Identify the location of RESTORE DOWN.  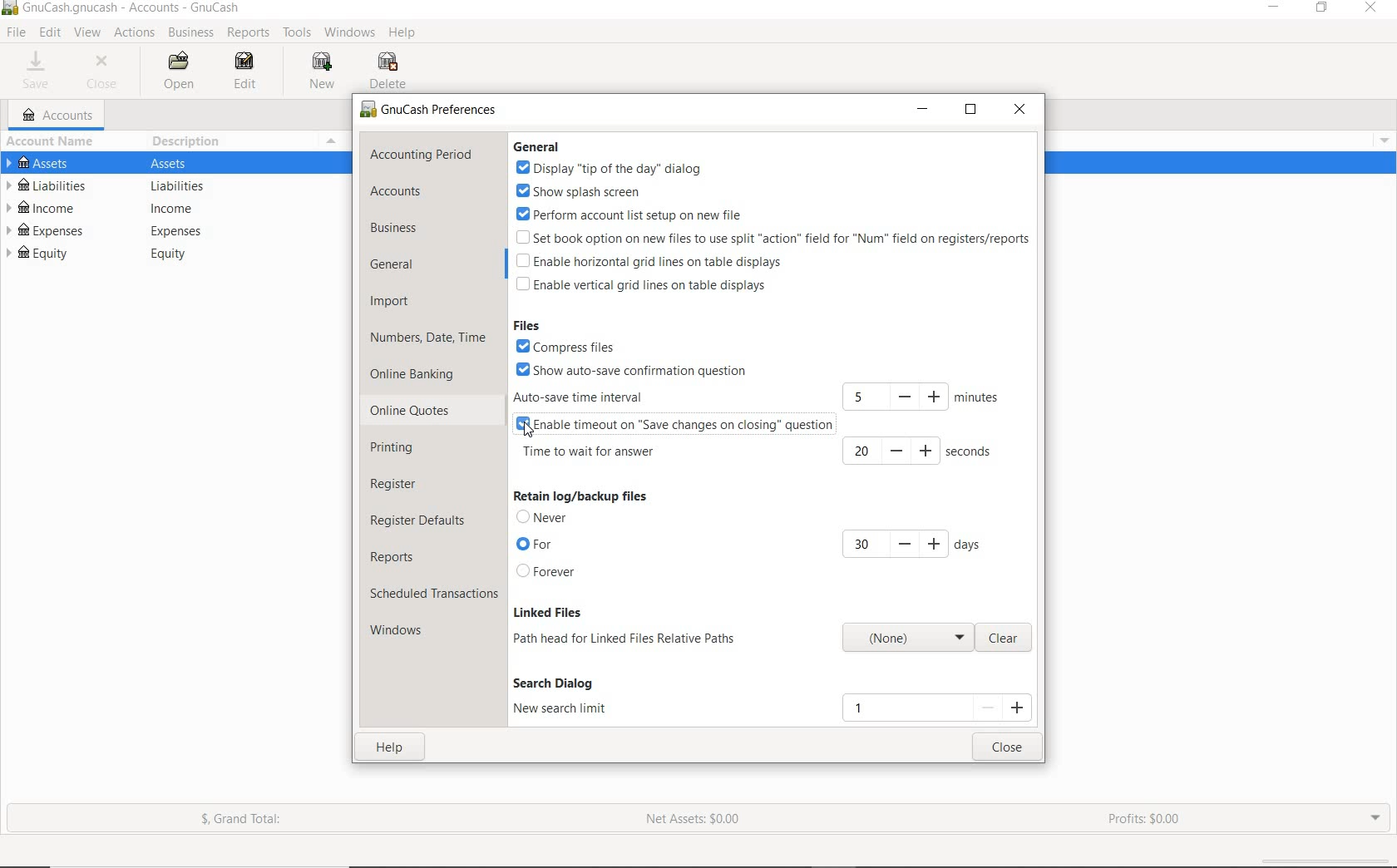
(1321, 11).